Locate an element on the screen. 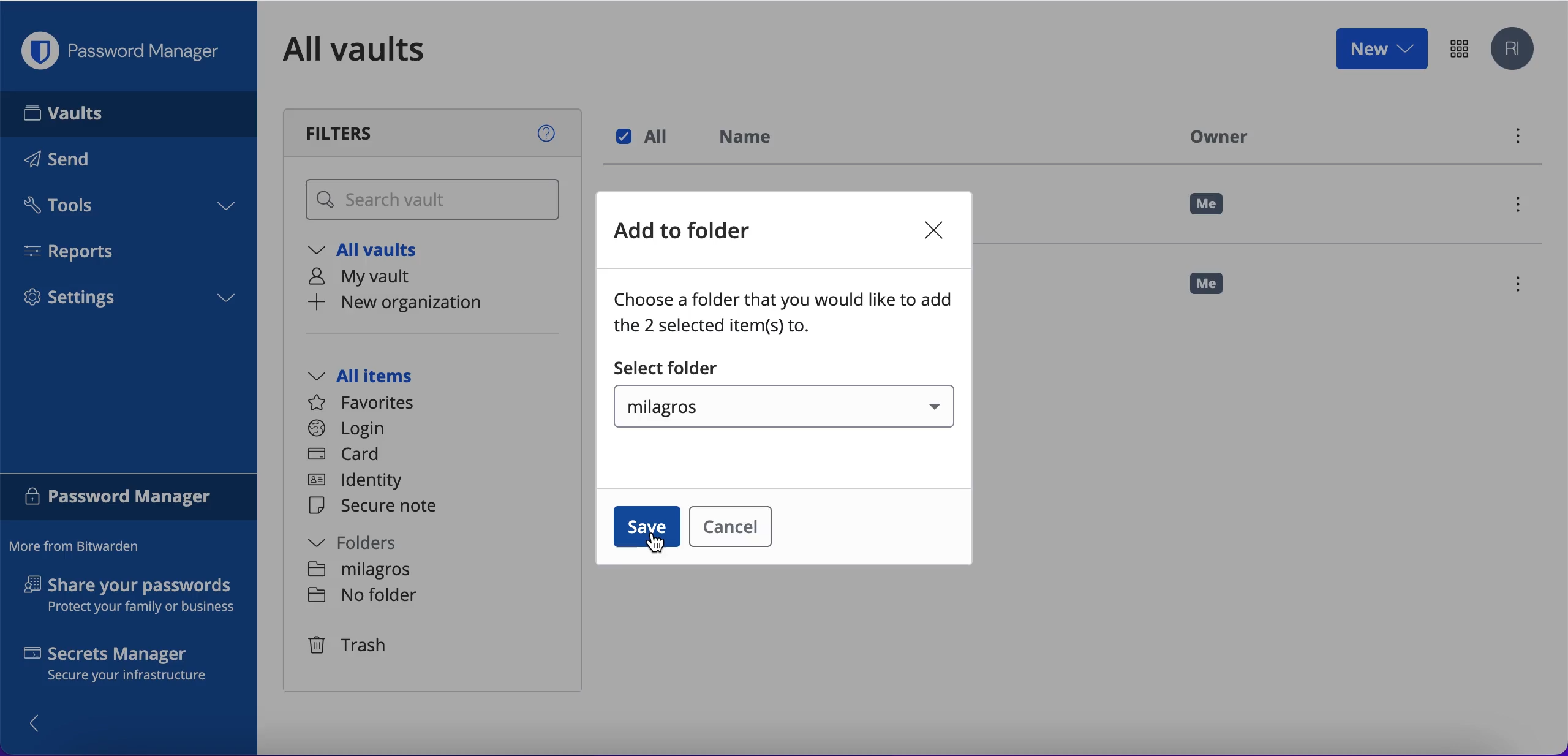 The height and width of the screenshot is (756, 1568). all is located at coordinates (646, 137).